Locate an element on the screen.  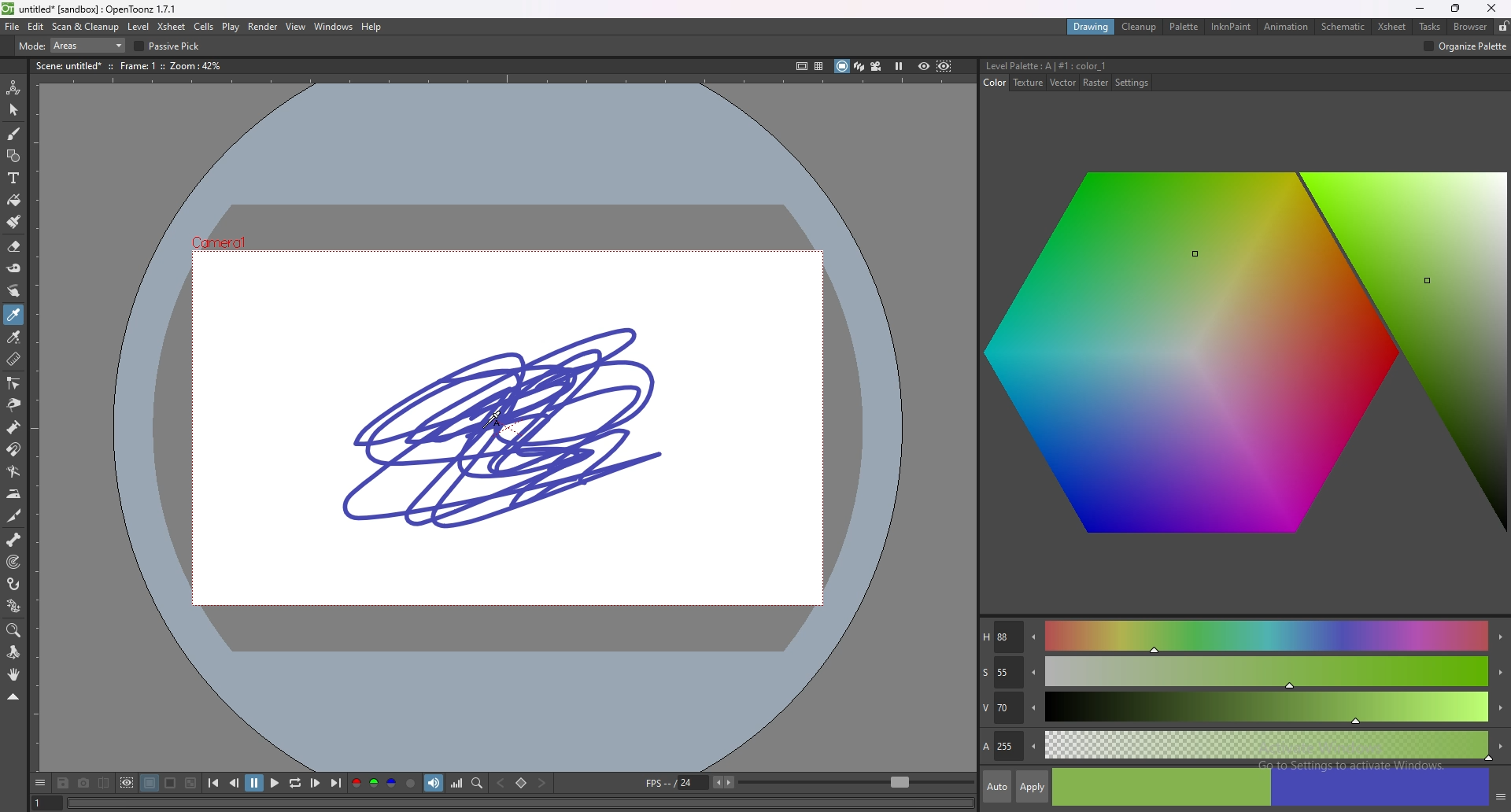
play is located at coordinates (230, 28).